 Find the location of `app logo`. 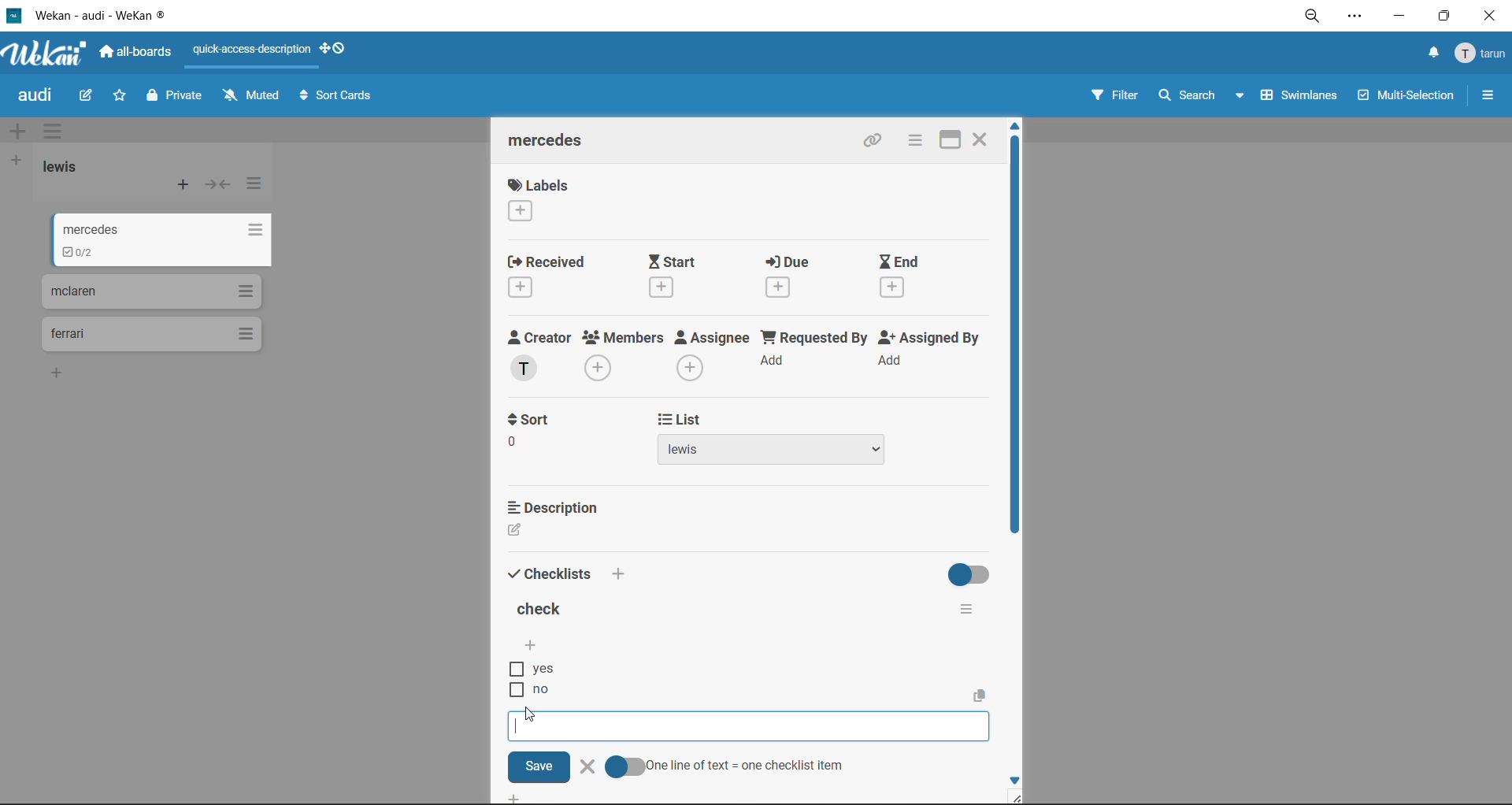

app logo is located at coordinates (46, 50).